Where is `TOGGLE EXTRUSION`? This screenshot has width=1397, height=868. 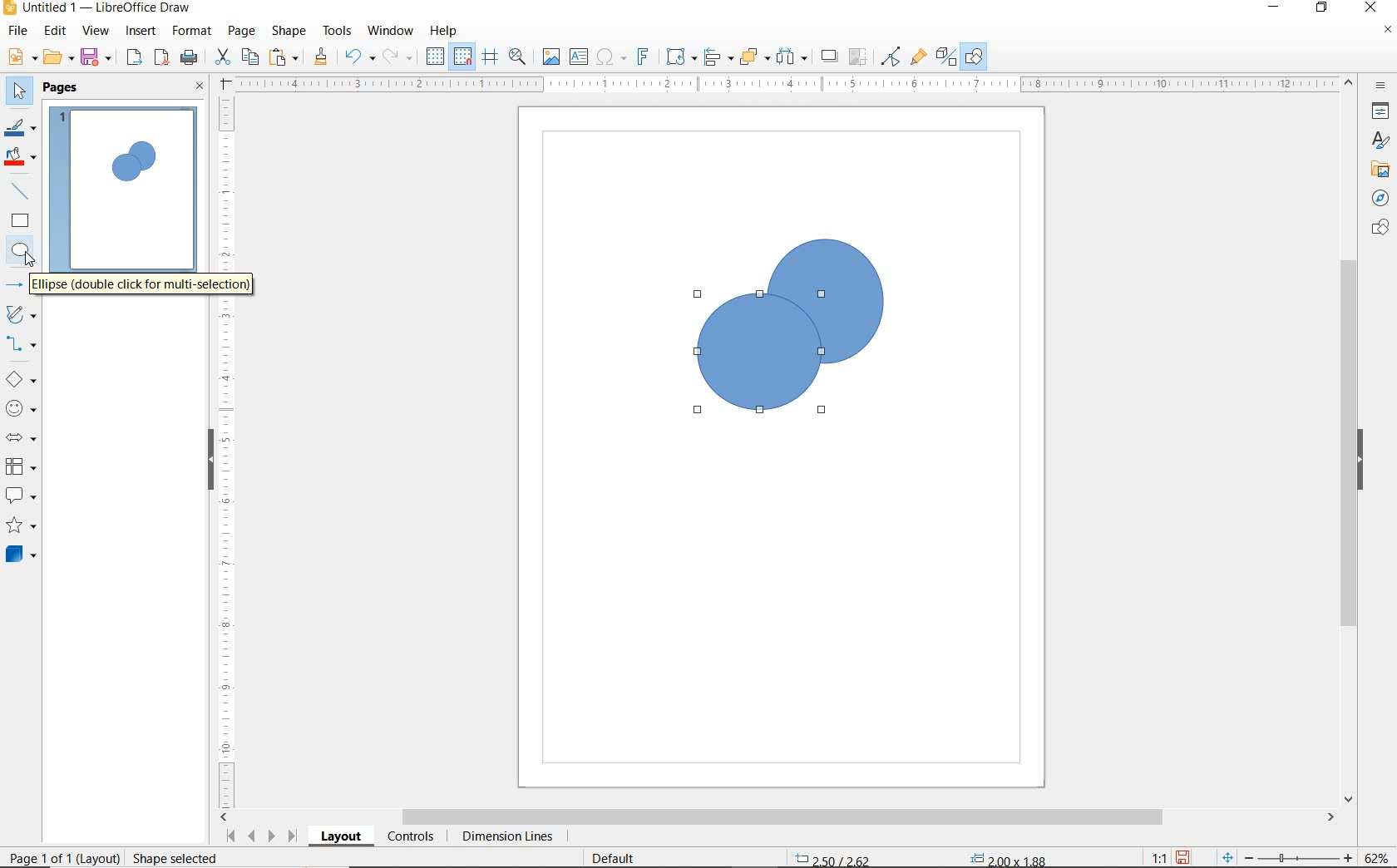 TOGGLE EXTRUSION is located at coordinates (946, 58).